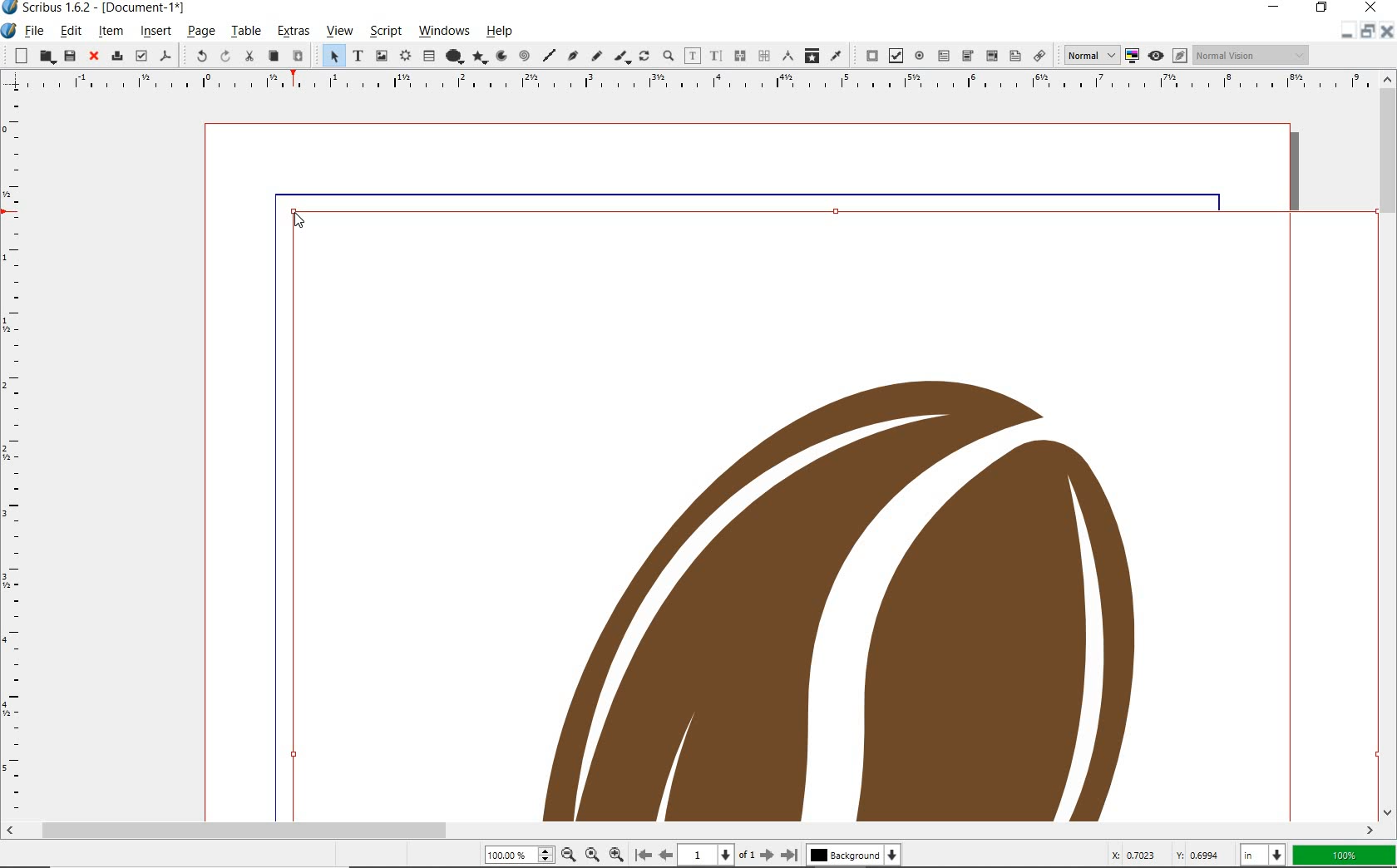 The image size is (1397, 868). What do you see at coordinates (573, 56) in the screenshot?
I see `Bezier curve` at bounding box center [573, 56].